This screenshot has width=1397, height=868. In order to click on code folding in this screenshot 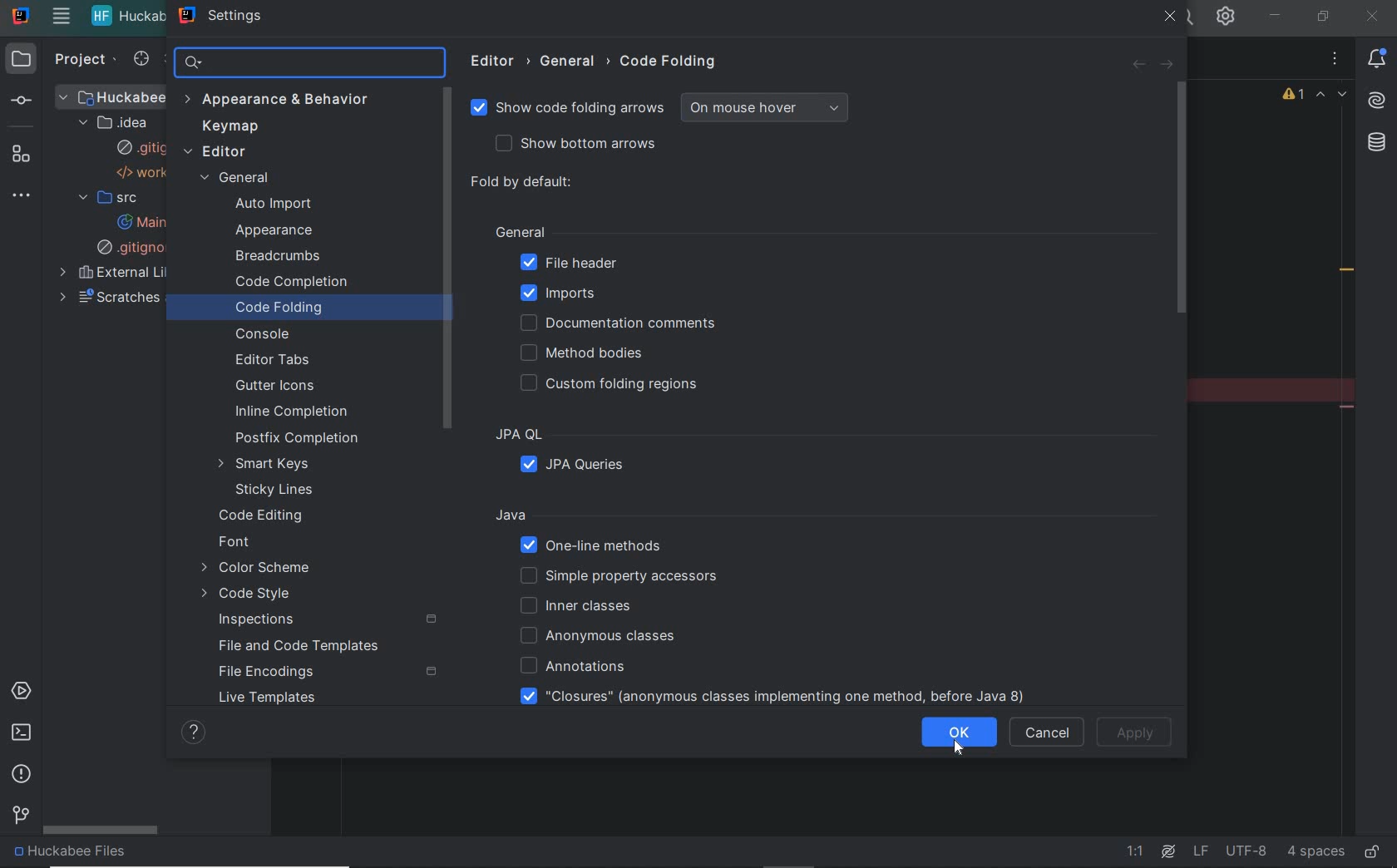, I will do `click(279, 306)`.